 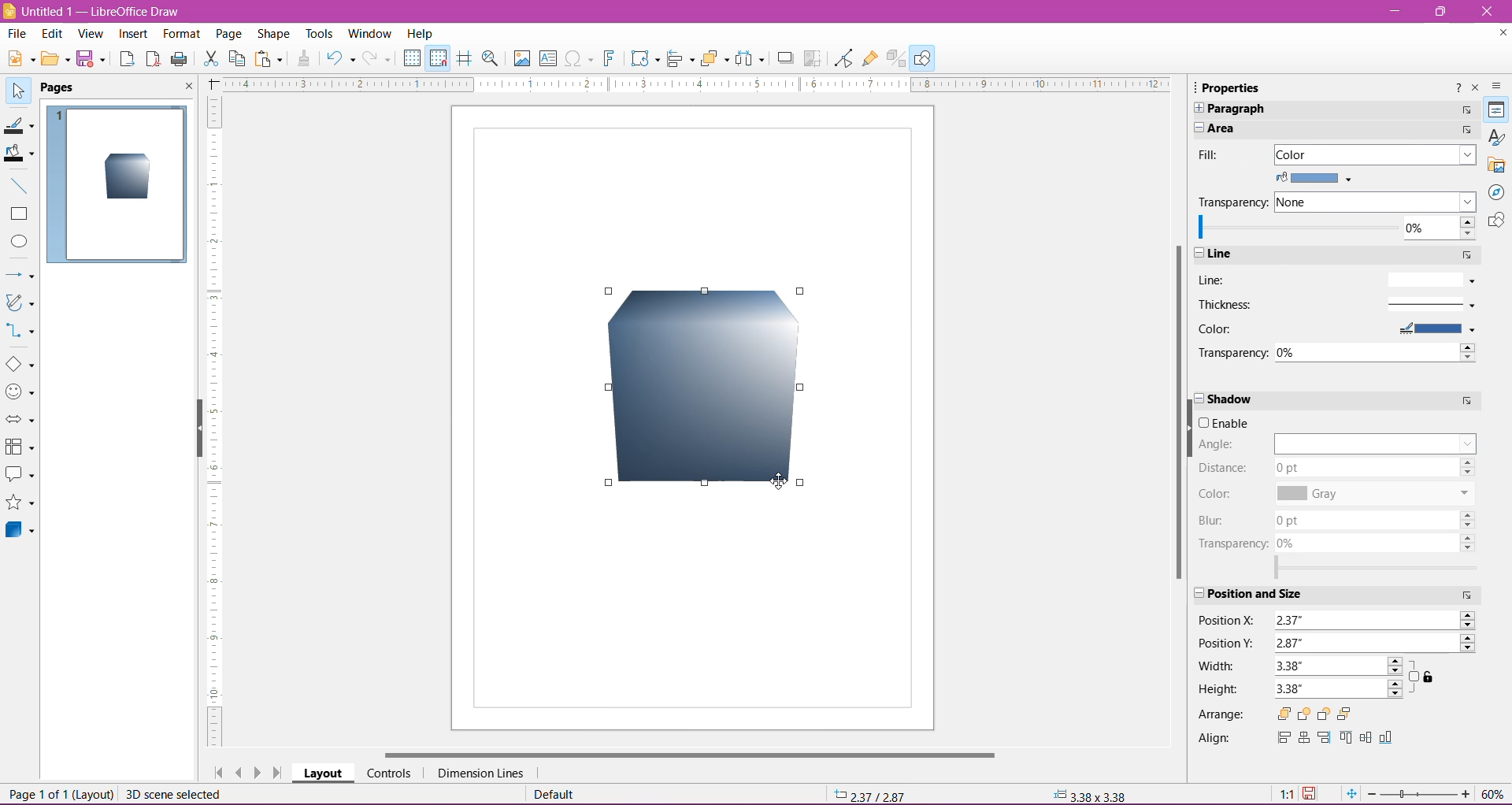 I want to click on Cut, so click(x=210, y=61).